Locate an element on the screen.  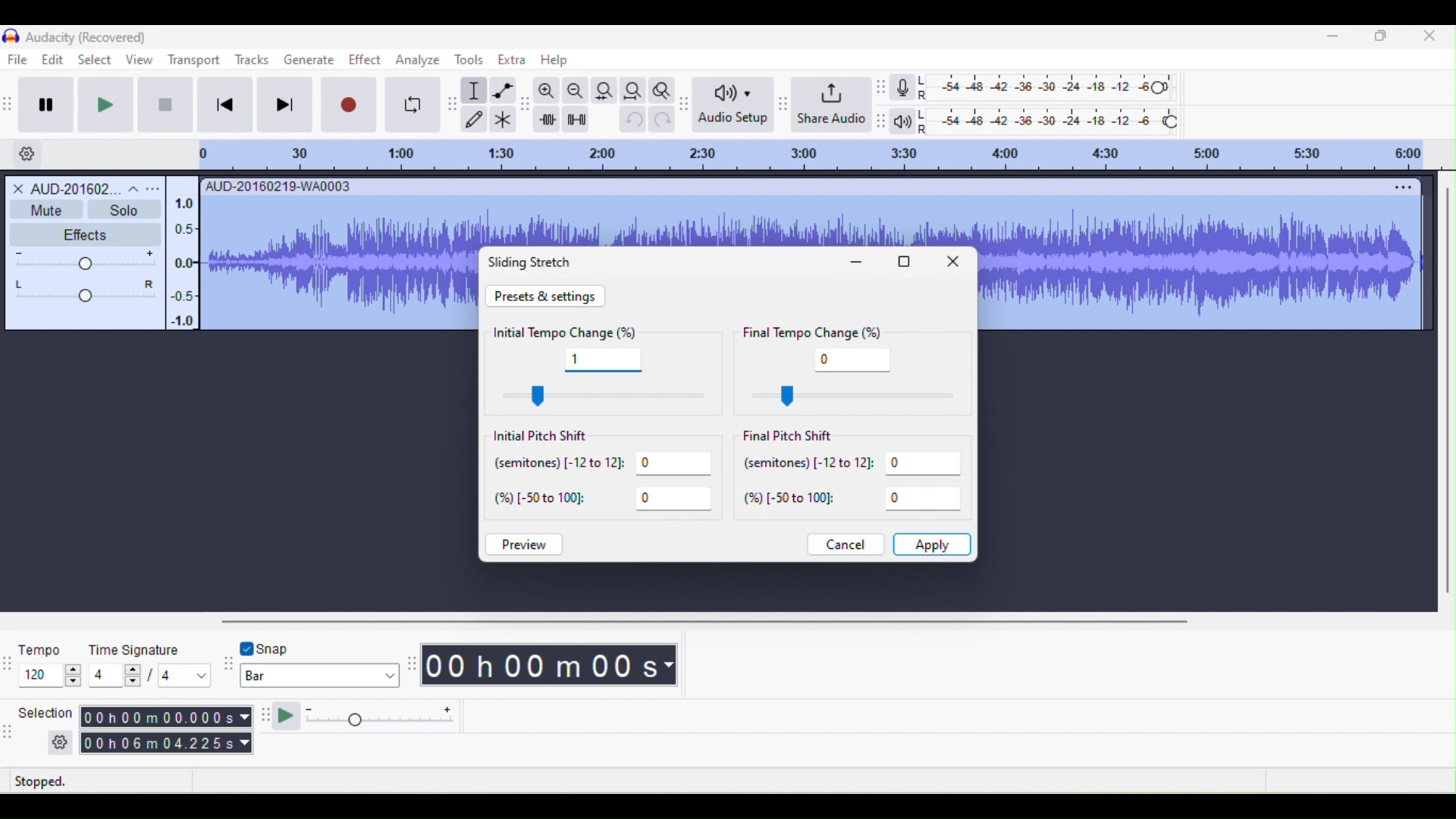
% is located at coordinates (855, 500).